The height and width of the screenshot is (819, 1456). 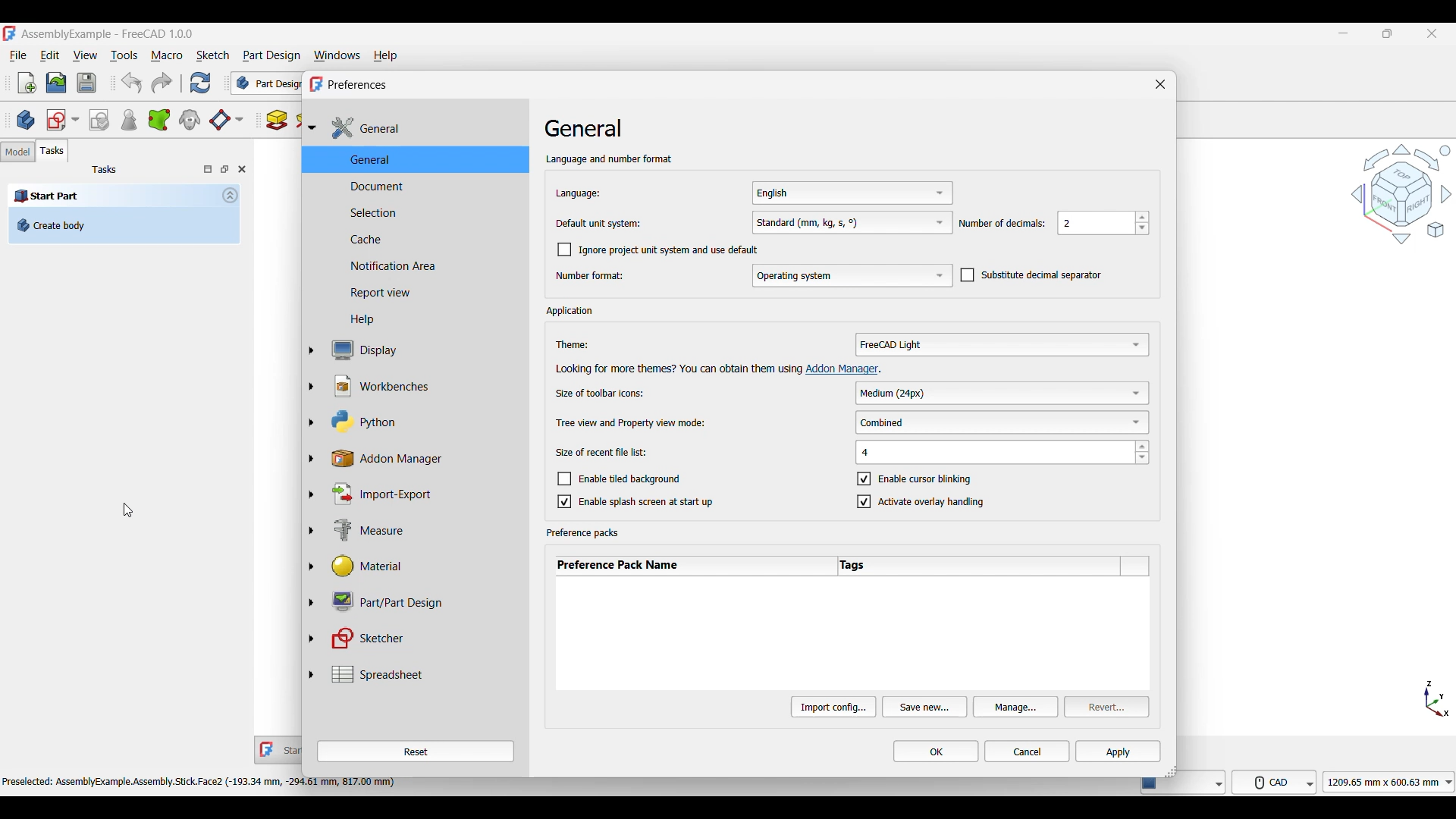 What do you see at coordinates (1002, 344) in the screenshot?
I see `FreeCAD Light` at bounding box center [1002, 344].